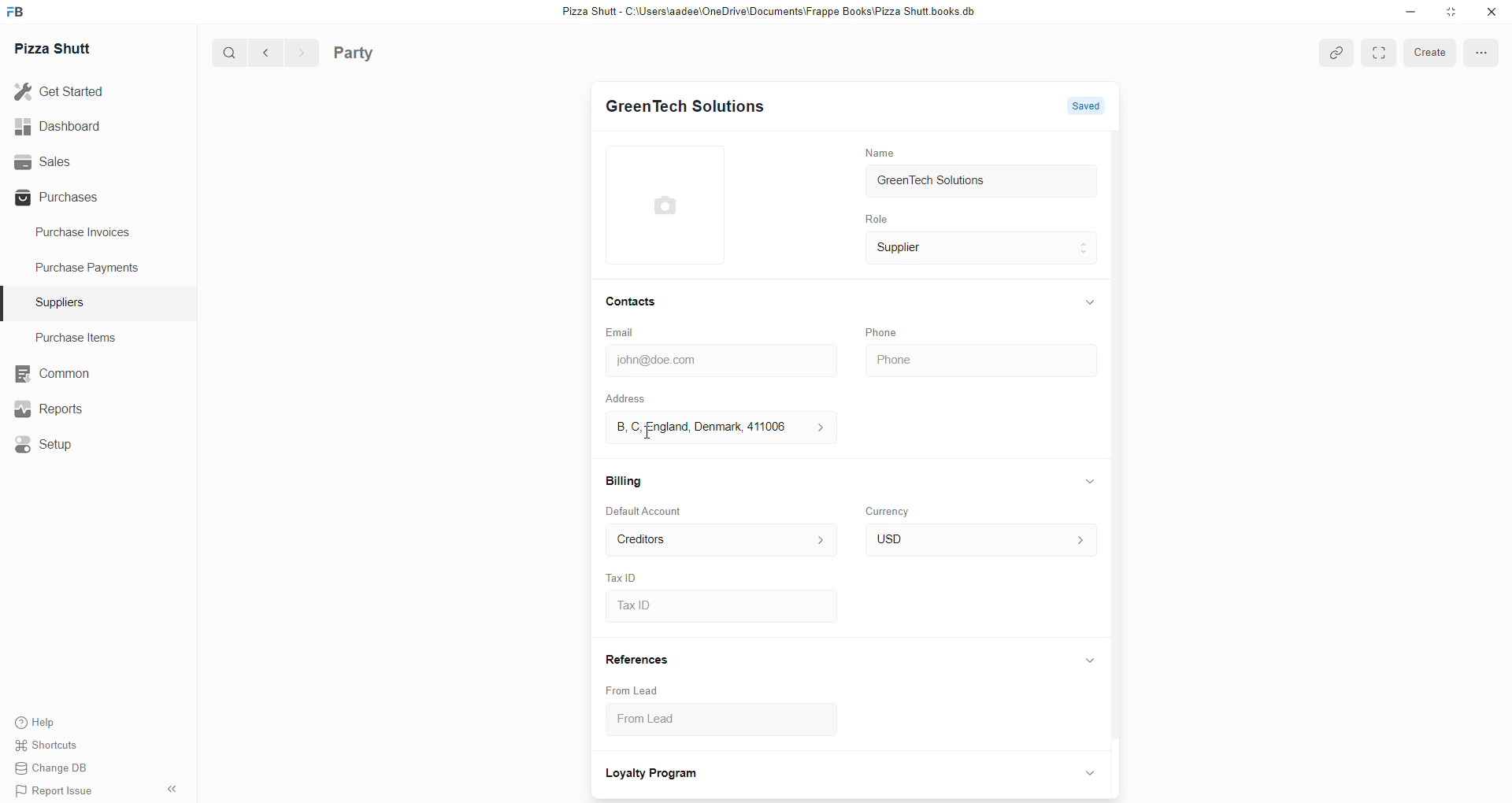  What do you see at coordinates (81, 337) in the screenshot?
I see `Purchase Items` at bounding box center [81, 337].